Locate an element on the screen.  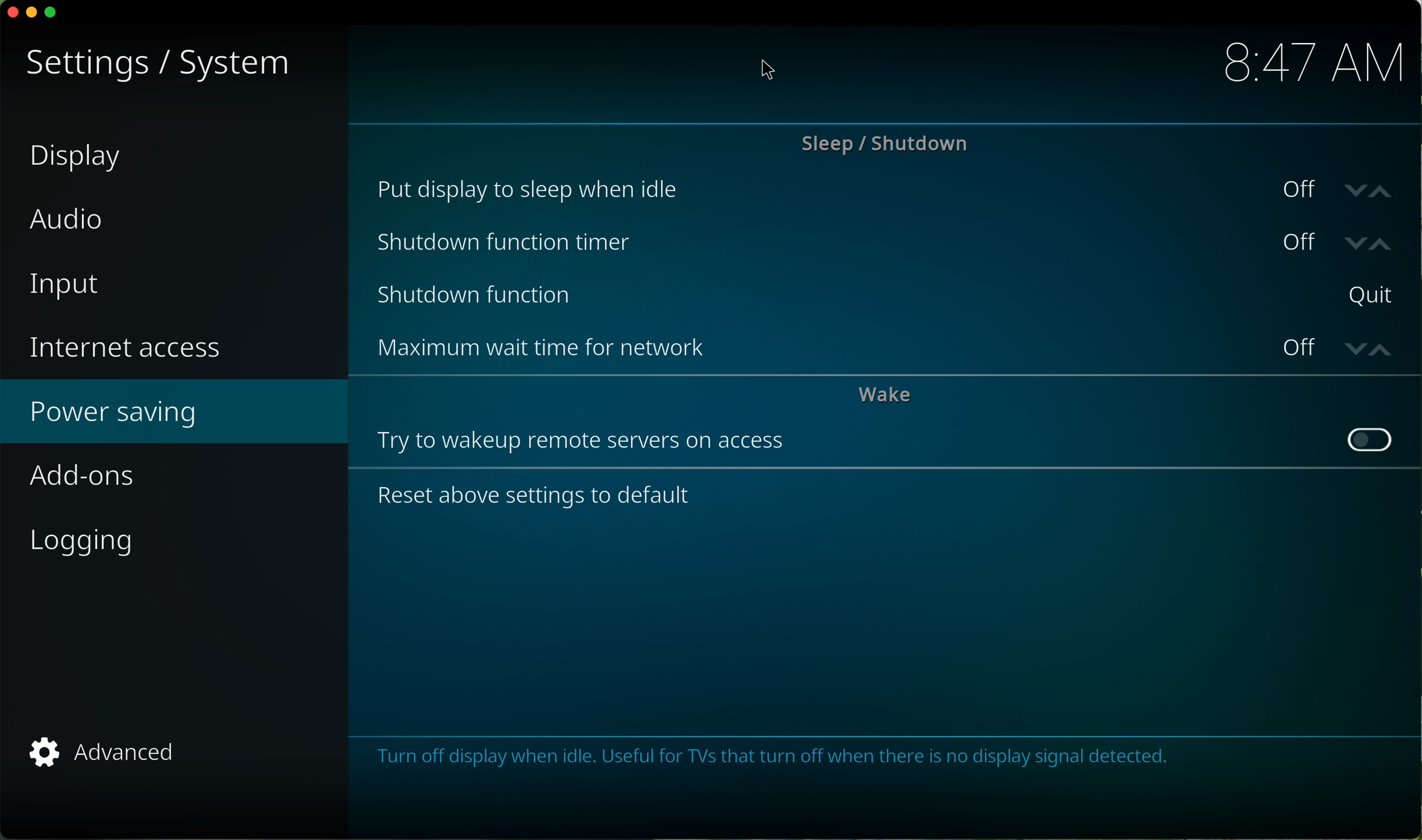
disable button is located at coordinates (1367, 440).